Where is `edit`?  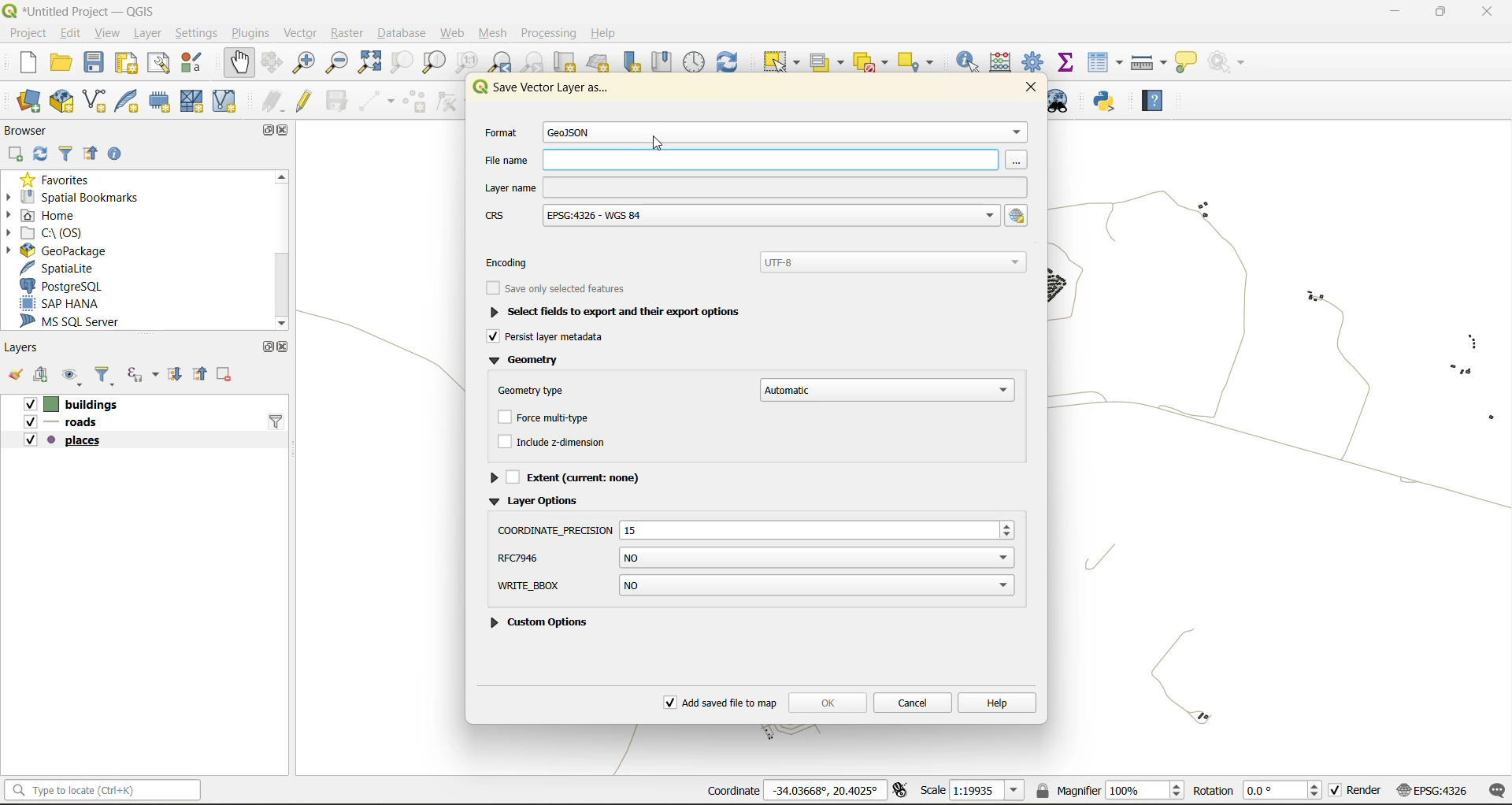
edit is located at coordinates (69, 33).